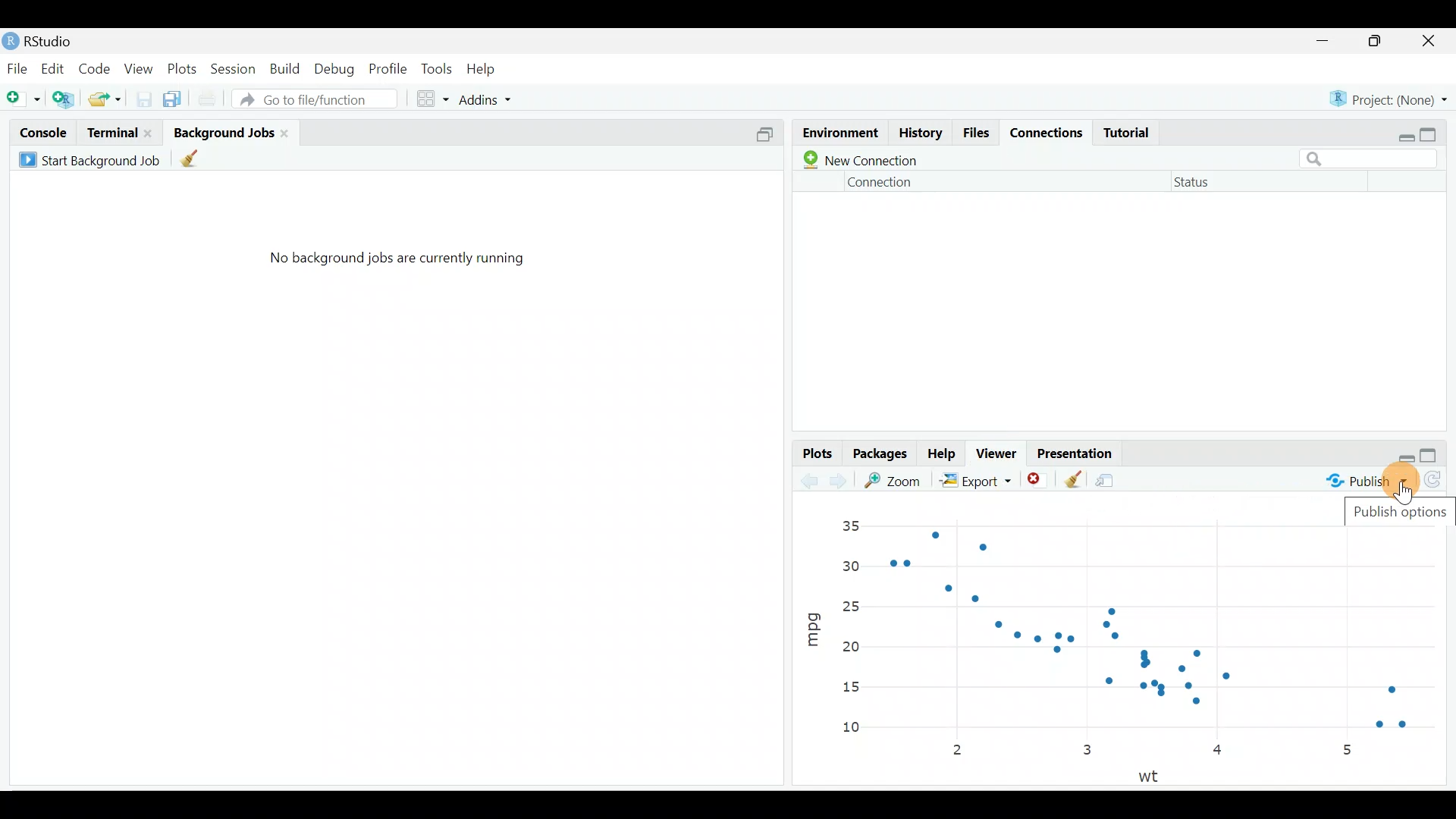 The width and height of the screenshot is (1456, 819). What do you see at coordinates (852, 564) in the screenshot?
I see `30` at bounding box center [852, 564].